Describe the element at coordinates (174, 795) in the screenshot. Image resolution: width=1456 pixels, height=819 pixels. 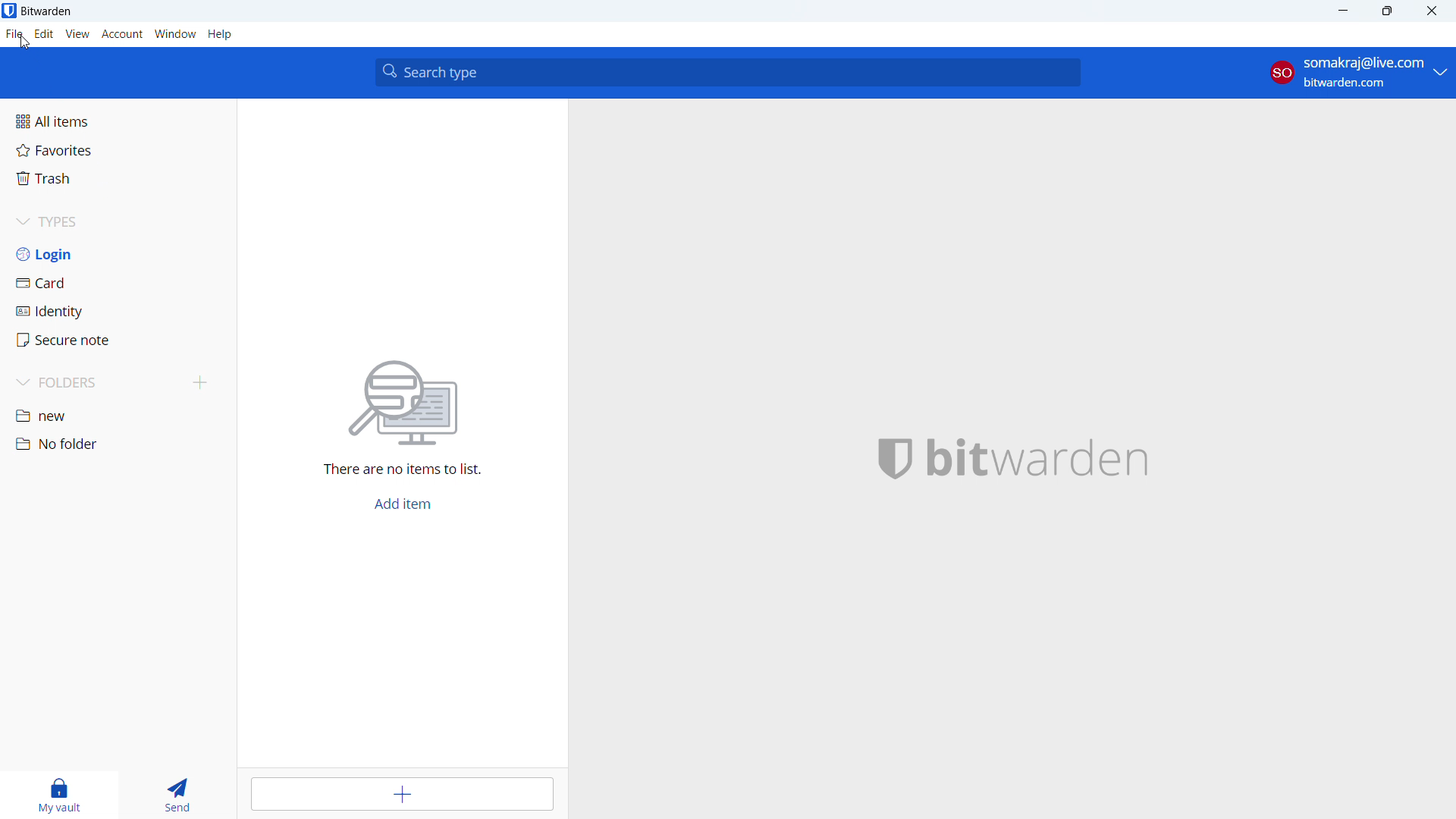
I see `send` at that location.